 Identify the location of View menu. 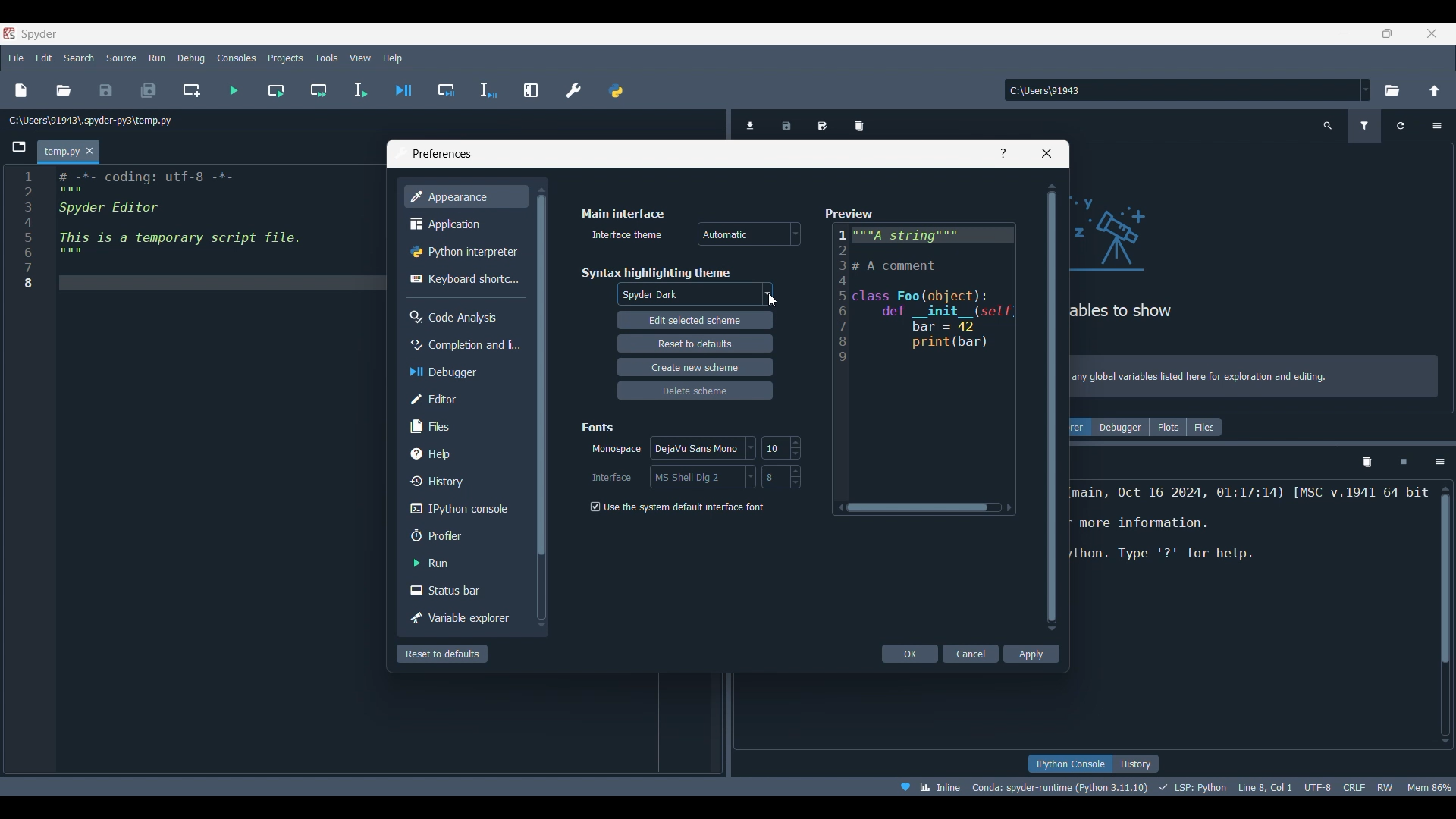
(360, 58).